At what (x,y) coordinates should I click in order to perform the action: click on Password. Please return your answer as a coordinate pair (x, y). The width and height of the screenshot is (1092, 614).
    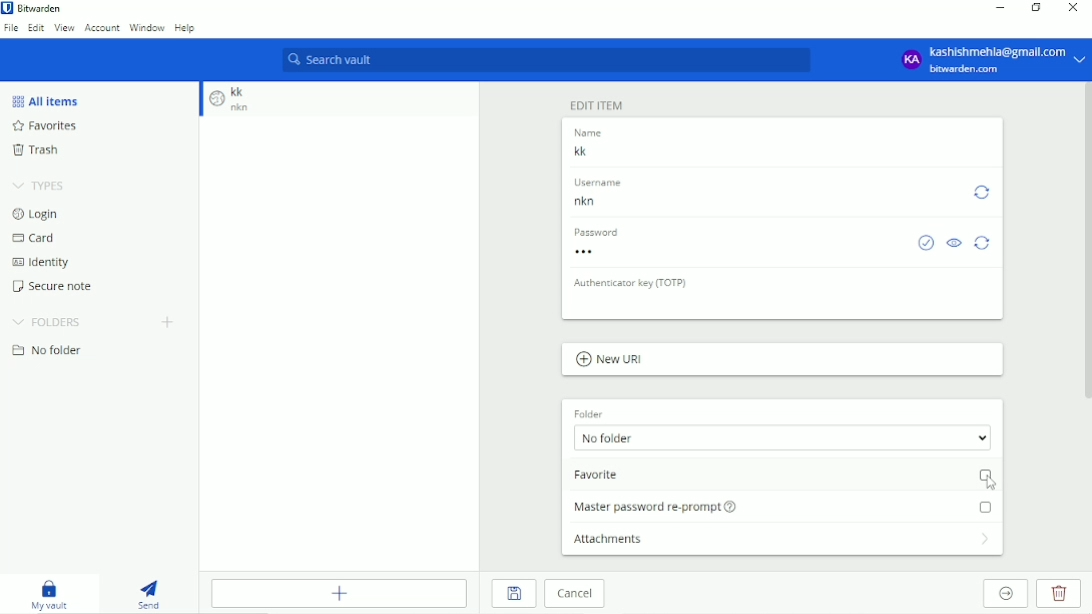
    Looking at the image, I should click on (604, 250).